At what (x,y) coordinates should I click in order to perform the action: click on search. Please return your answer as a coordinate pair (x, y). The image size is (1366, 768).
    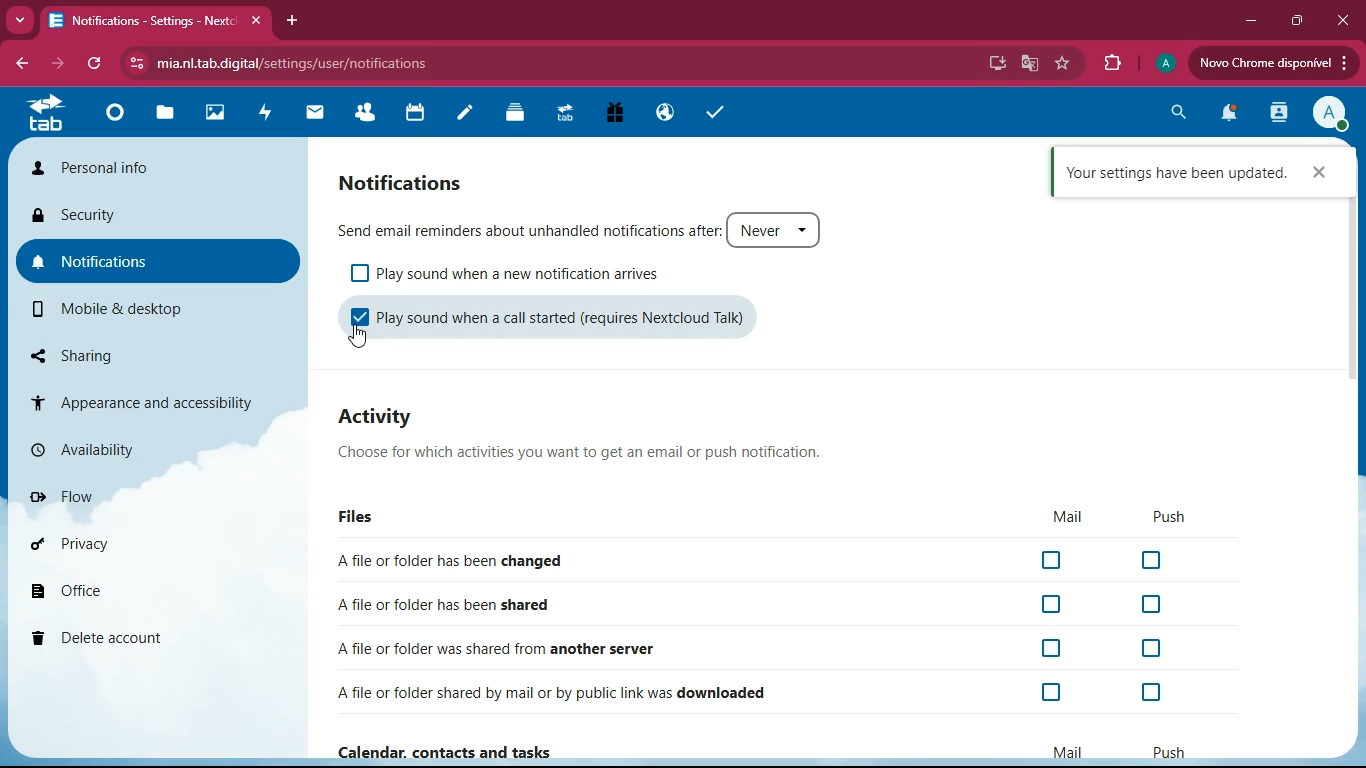
    Looking at the image, I should click on (1176, 111).